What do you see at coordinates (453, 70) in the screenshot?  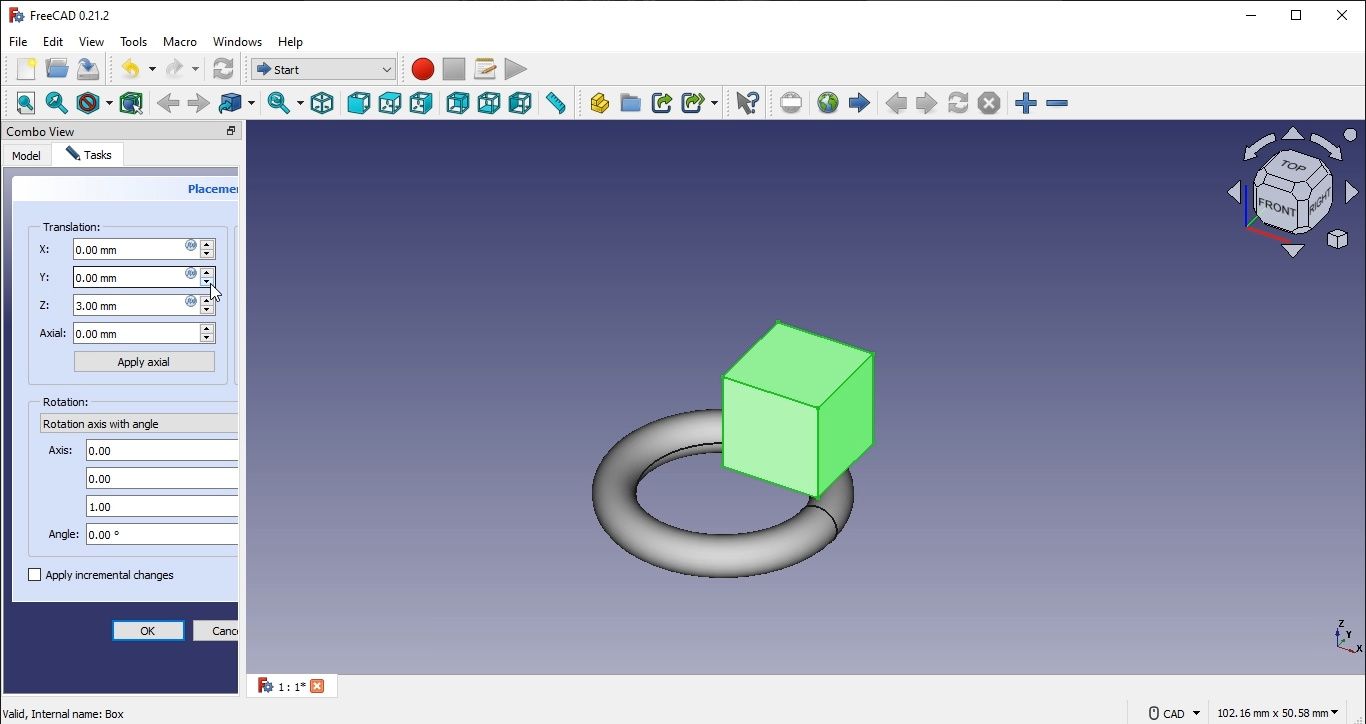 I see `stop macro recording` at bounding box center [453, 70].